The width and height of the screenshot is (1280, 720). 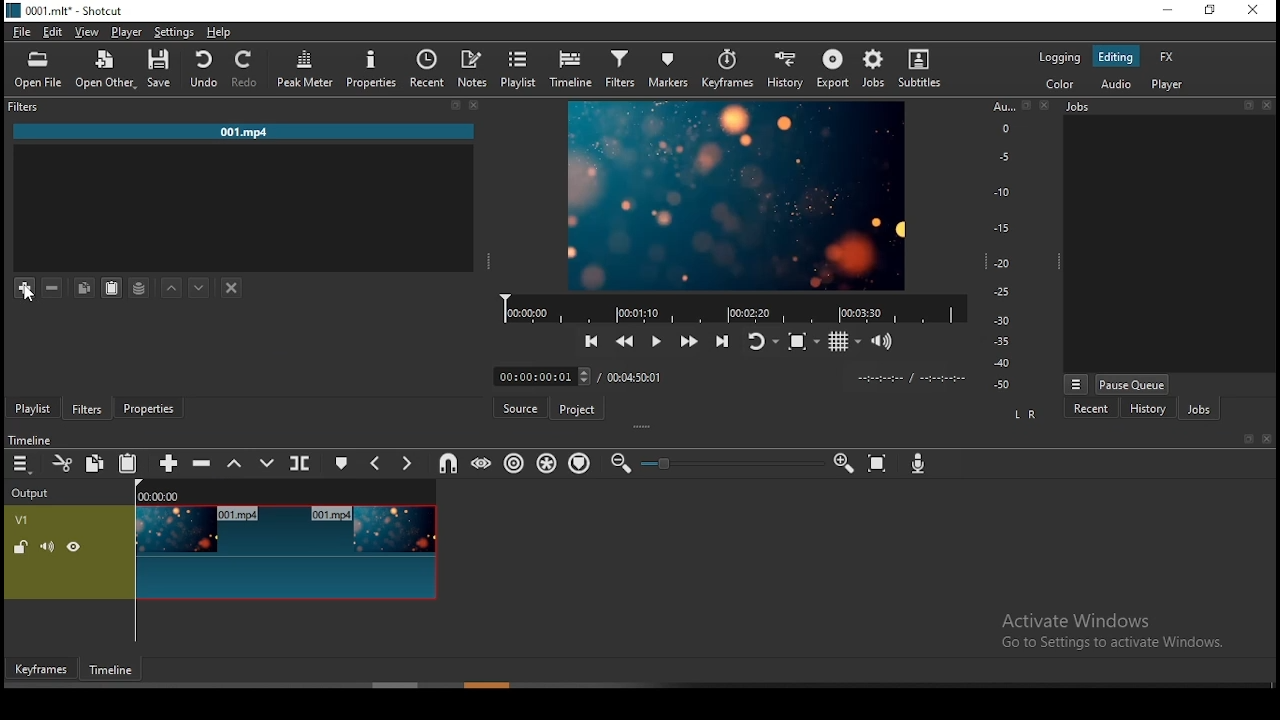 What do you see at coordinates (61, 380) in the screenshot?
I see `add source to playlist` at bounding box center [61, 380].